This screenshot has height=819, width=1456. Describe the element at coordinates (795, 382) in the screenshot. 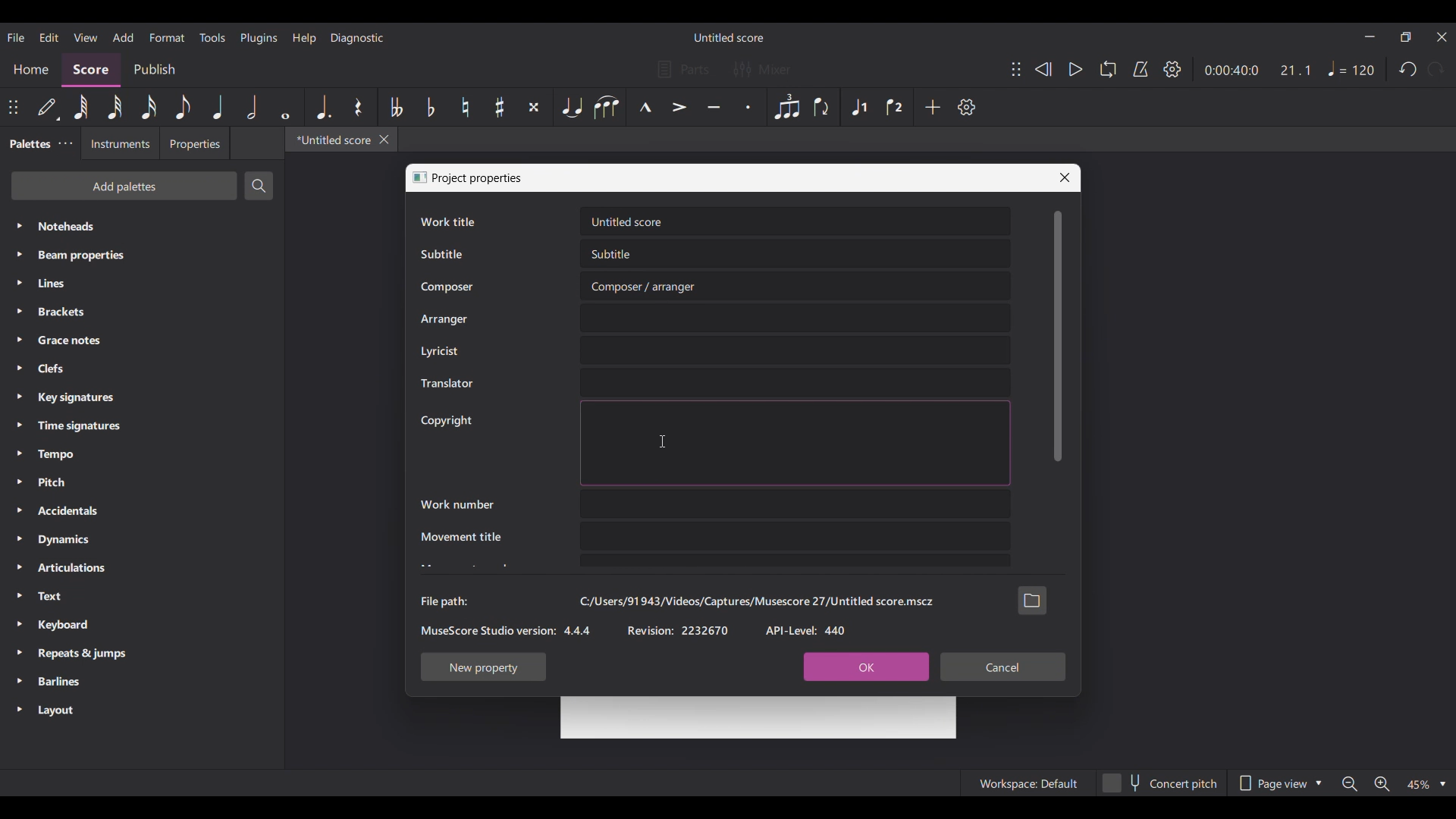

I see `Text box for Translator` at that location.